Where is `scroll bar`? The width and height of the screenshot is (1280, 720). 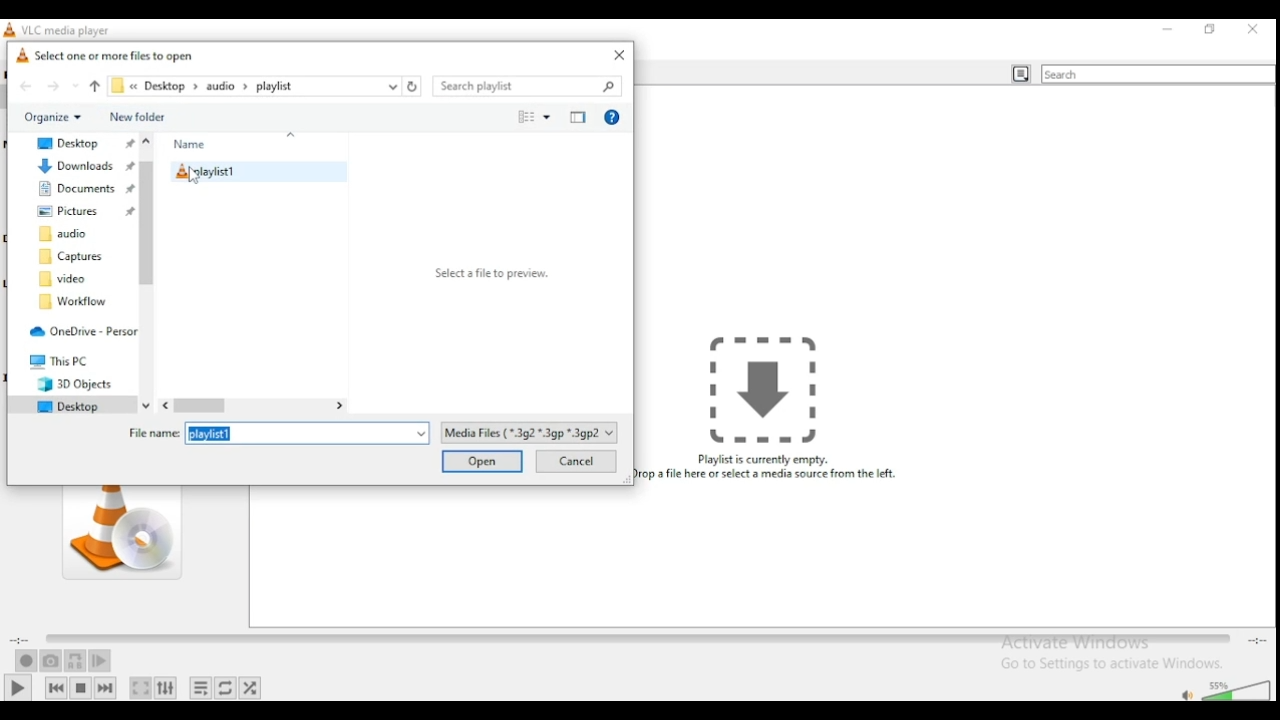
scroll bar is located at coordinates (251, 406).